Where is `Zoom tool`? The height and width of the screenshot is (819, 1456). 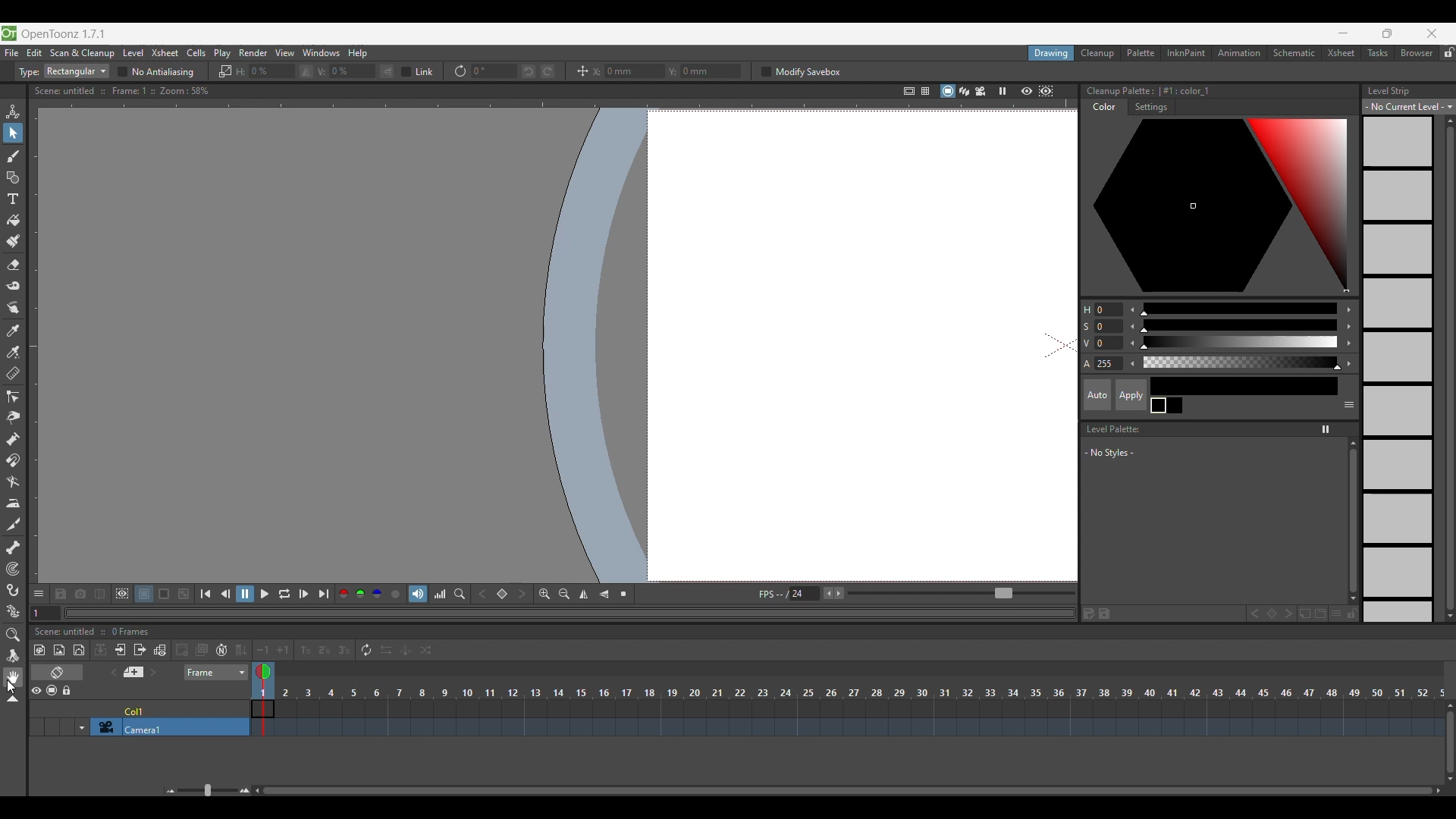 Zoom tool is located at coordinates (13, 635).